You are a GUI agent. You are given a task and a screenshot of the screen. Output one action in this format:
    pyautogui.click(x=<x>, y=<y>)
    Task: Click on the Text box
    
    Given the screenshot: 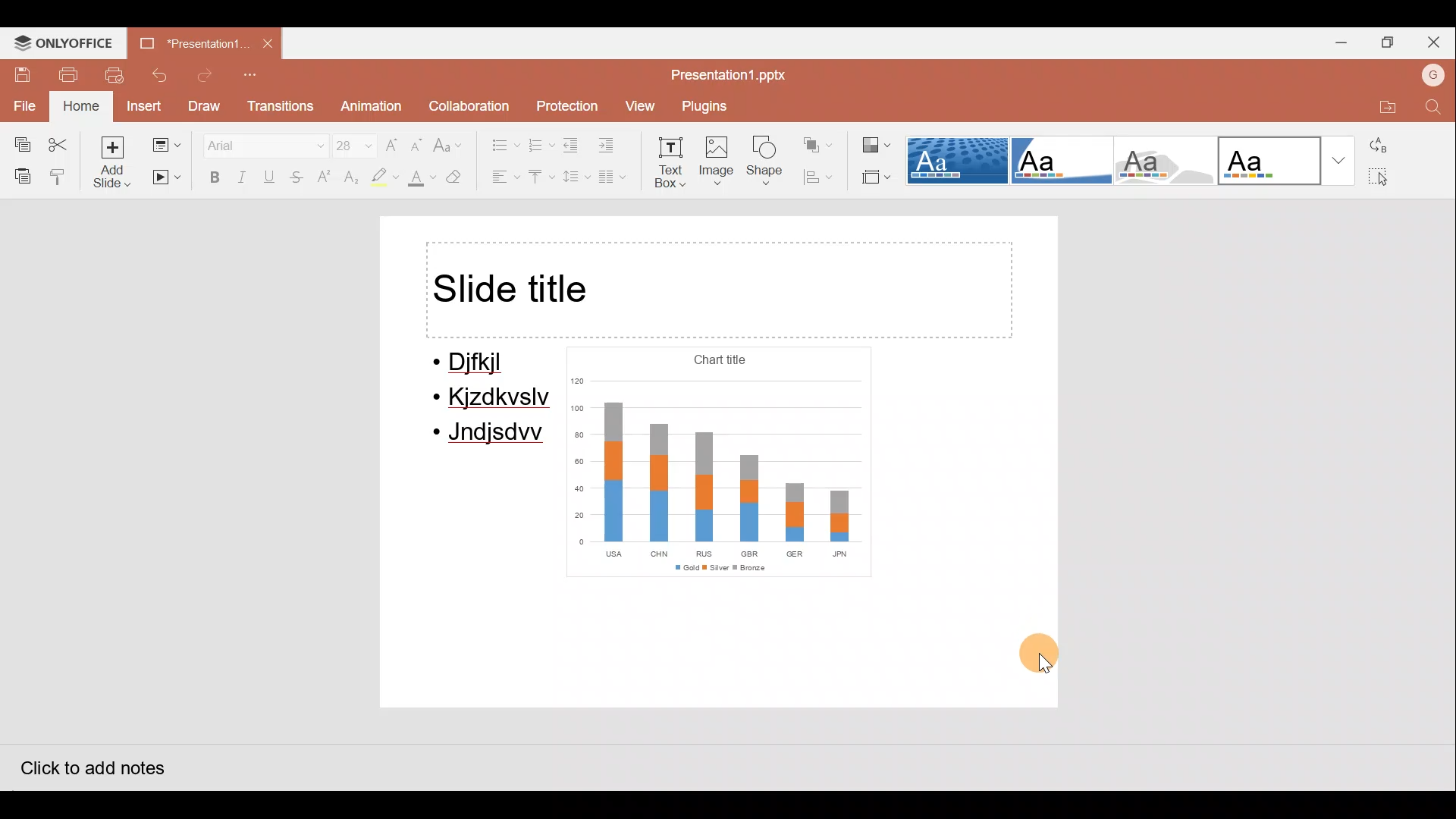 What is the action you would take?
    pyautogui.click(x=672, y=162)
    